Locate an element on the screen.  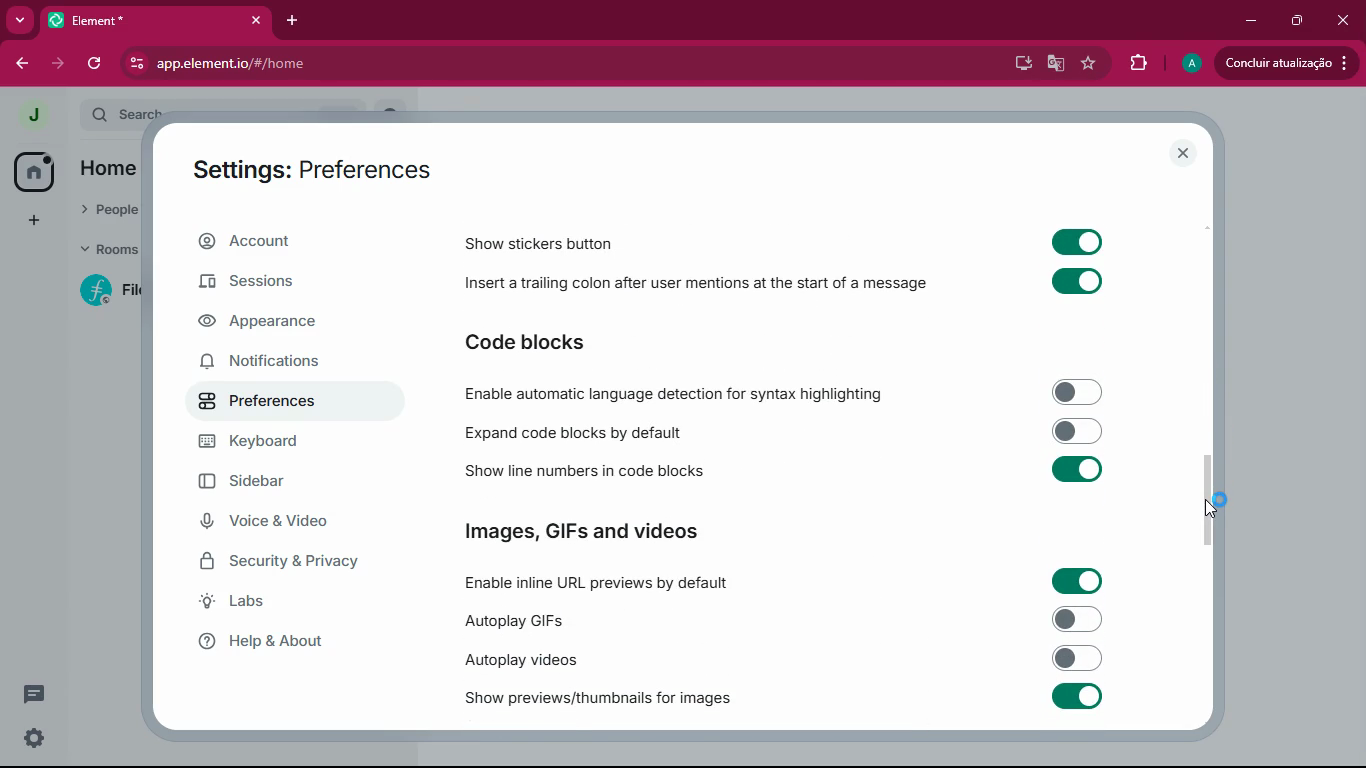
Toggle on is located at coordinates (1079, 240).